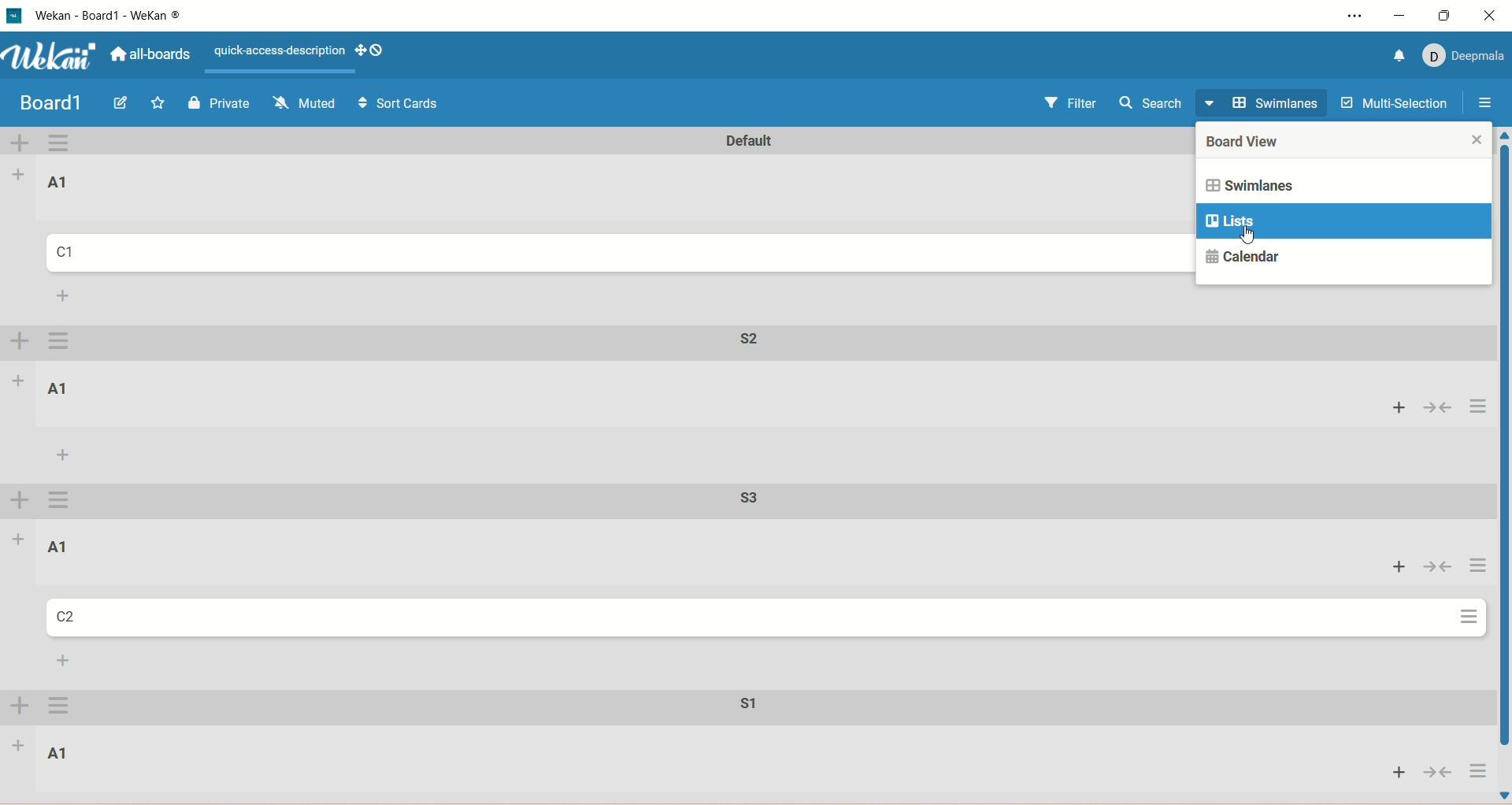  What do you see at coordinates (1258, 143) in the screenshot?
I see `board view` at bounding box center [1258, 143].